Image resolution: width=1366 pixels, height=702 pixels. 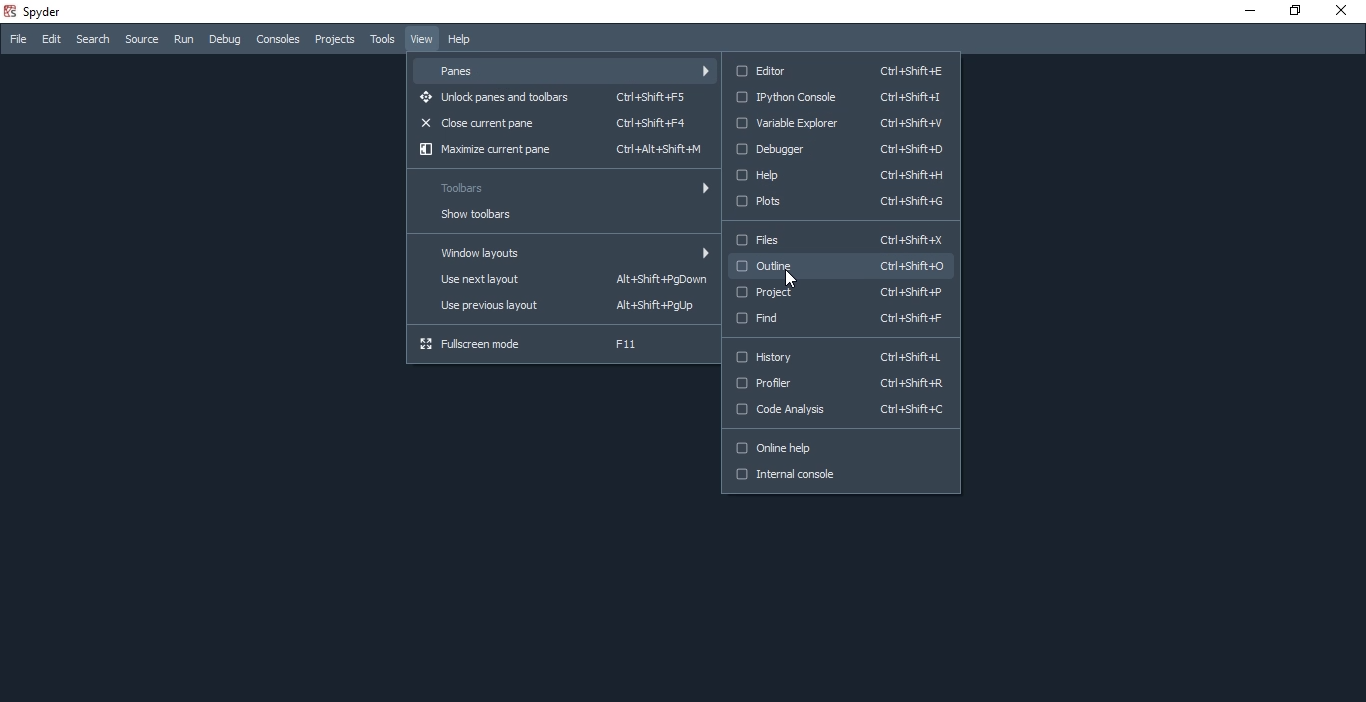 I want to click on Project, so click(x=840, y=292).